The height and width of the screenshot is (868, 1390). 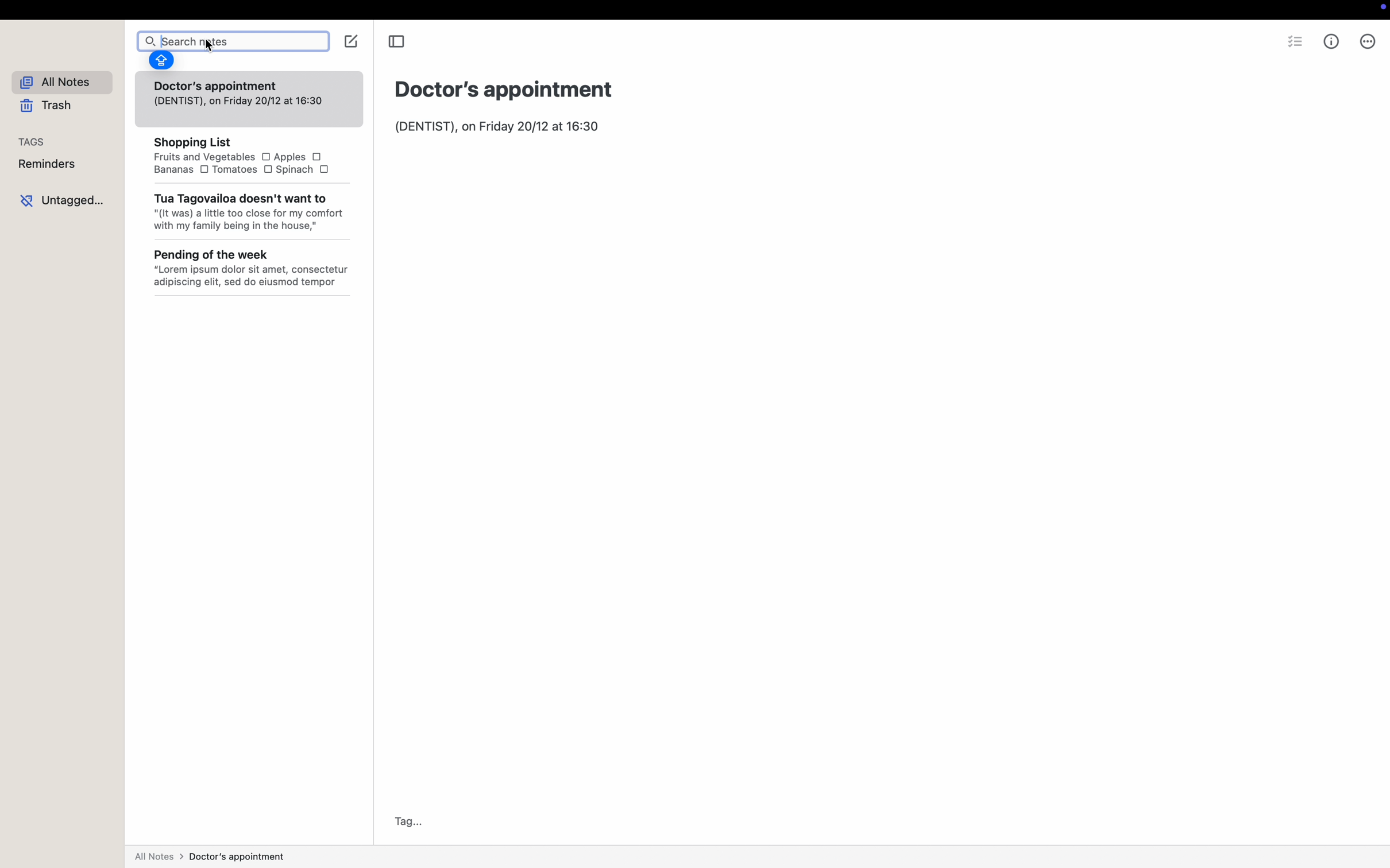 What do you see at coordinates (1333, 42) in the screenshot?
I see `metrics` at bounding box center [1333, 42].